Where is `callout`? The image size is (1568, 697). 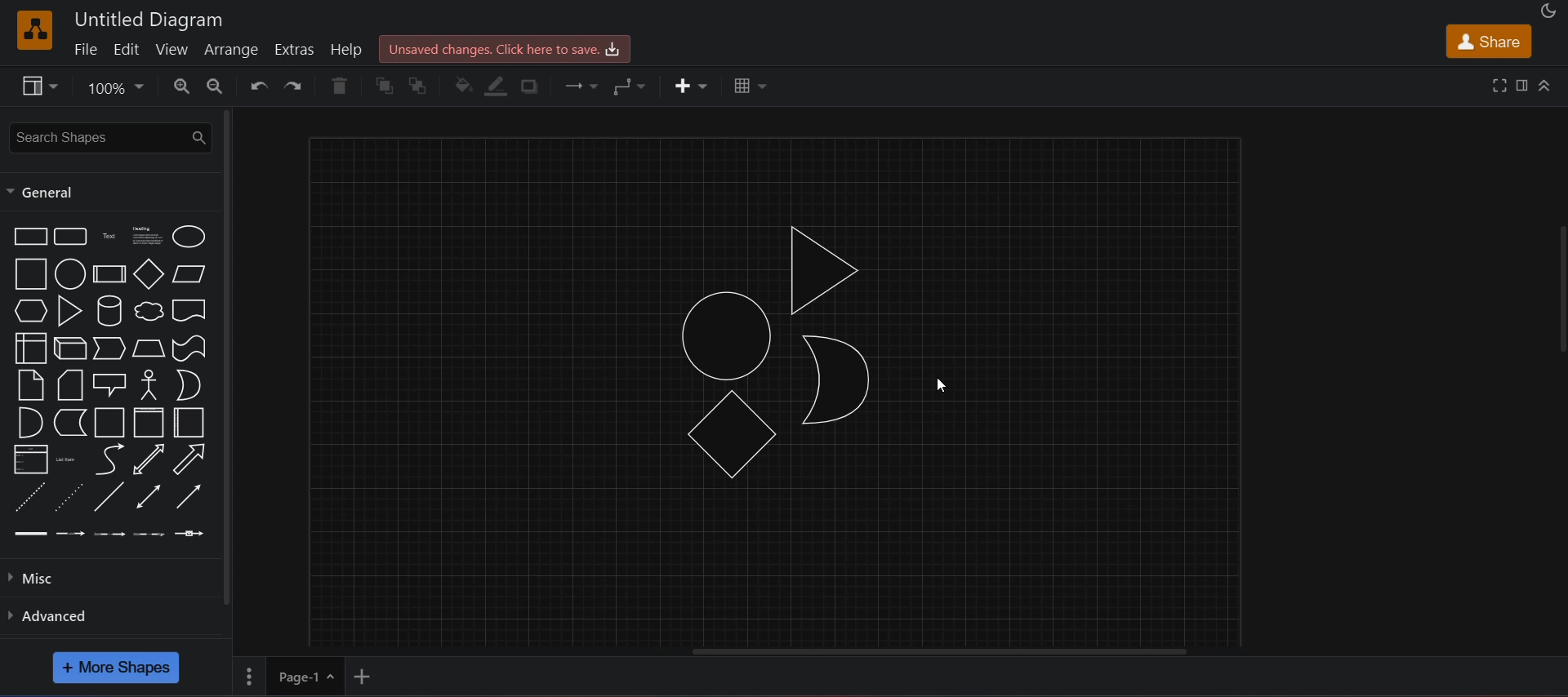 callout is located at coordinates (109, 383).